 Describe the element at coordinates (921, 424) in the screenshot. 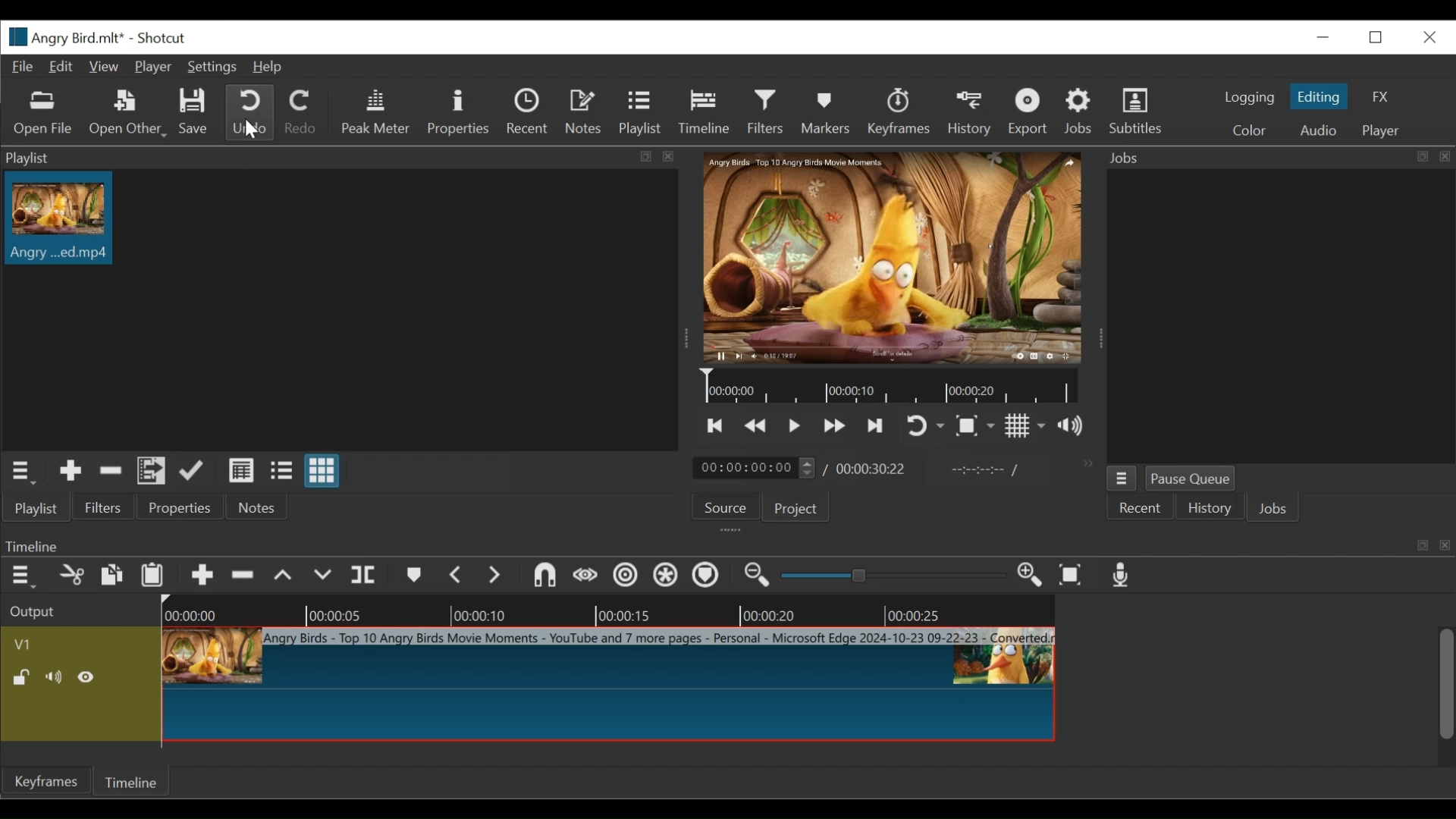

I see `Toggle player looping` at that location.